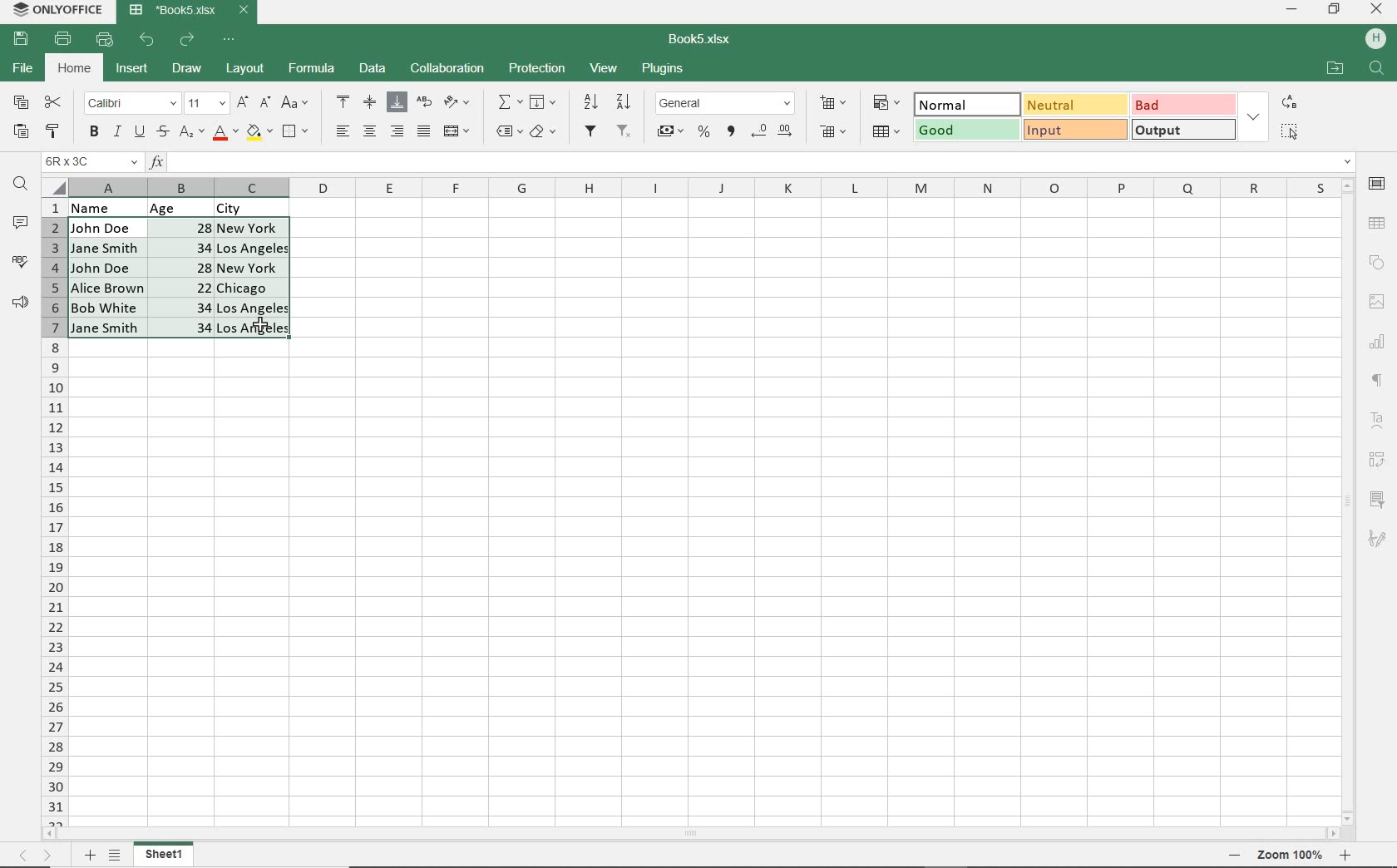 The width and height of the screenshot is (1397, 868). Describe the element at coordinates (189, 39) in the screenshot. I see `REDO` at that location.